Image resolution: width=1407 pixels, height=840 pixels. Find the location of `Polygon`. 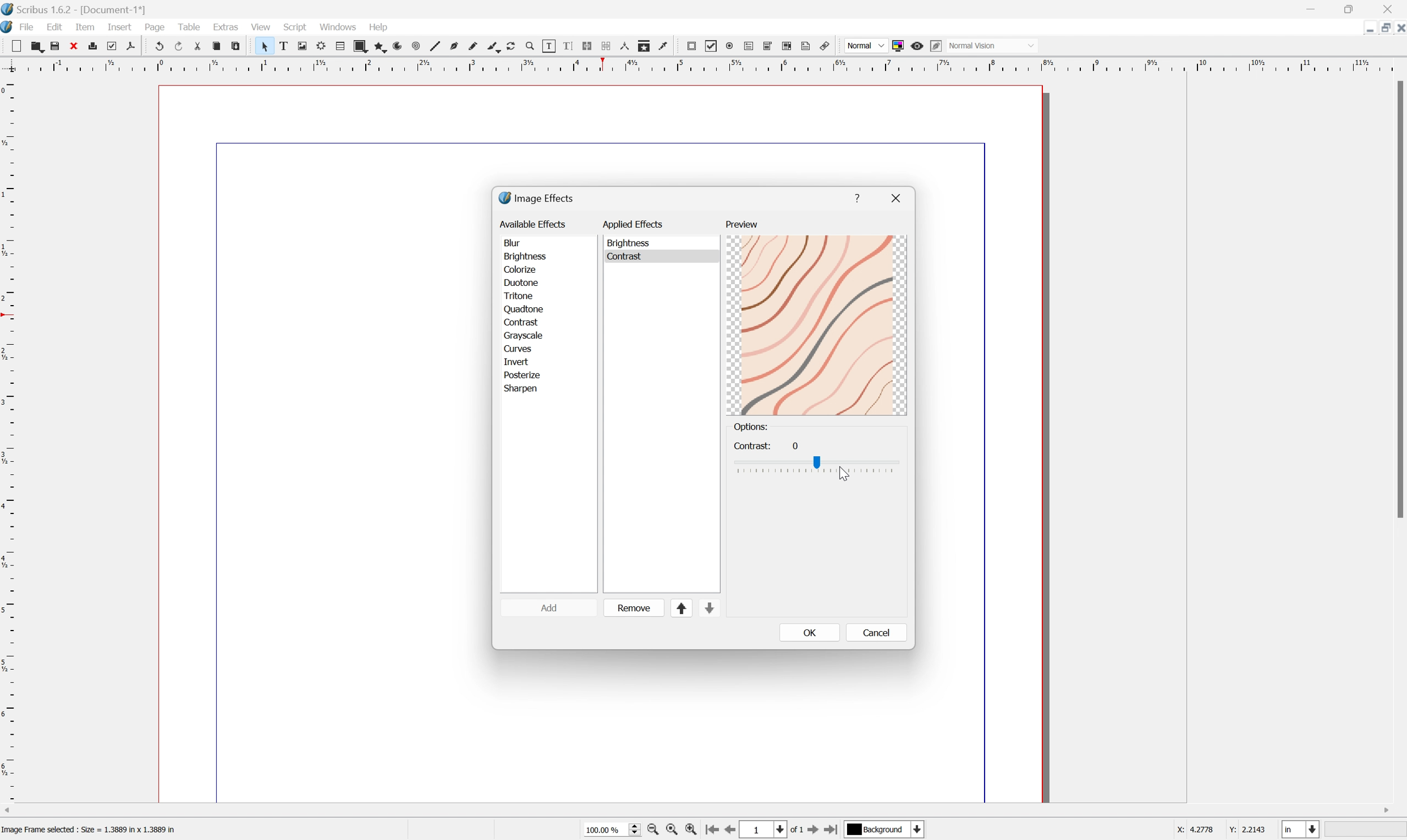

Polygon is located at coordinates (381, 45).